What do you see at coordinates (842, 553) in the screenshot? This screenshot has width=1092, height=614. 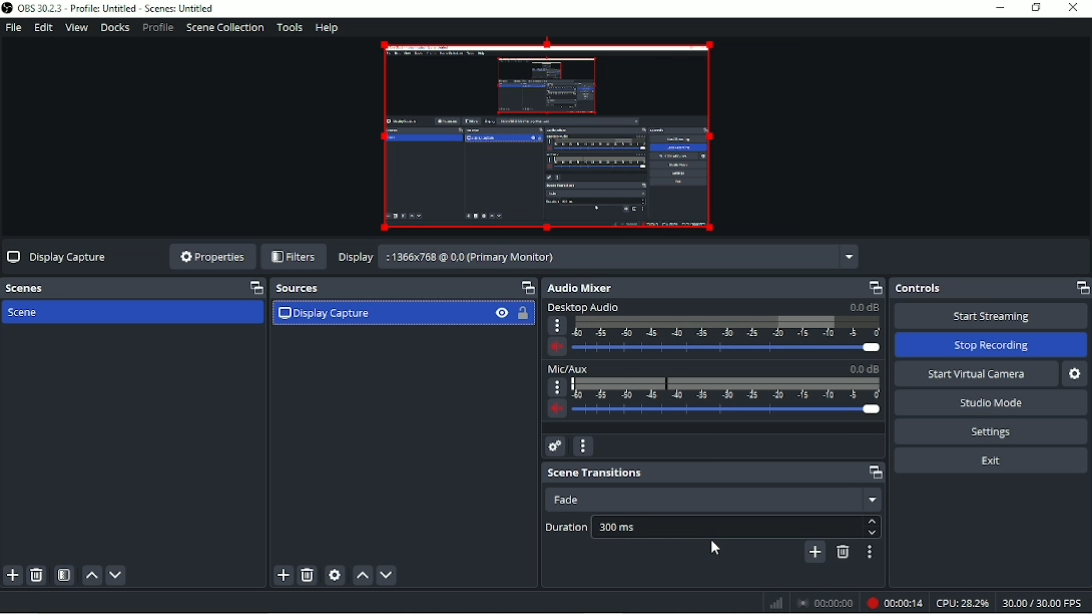 I see `Remove configurable transition` at bounding box center [842, 553].